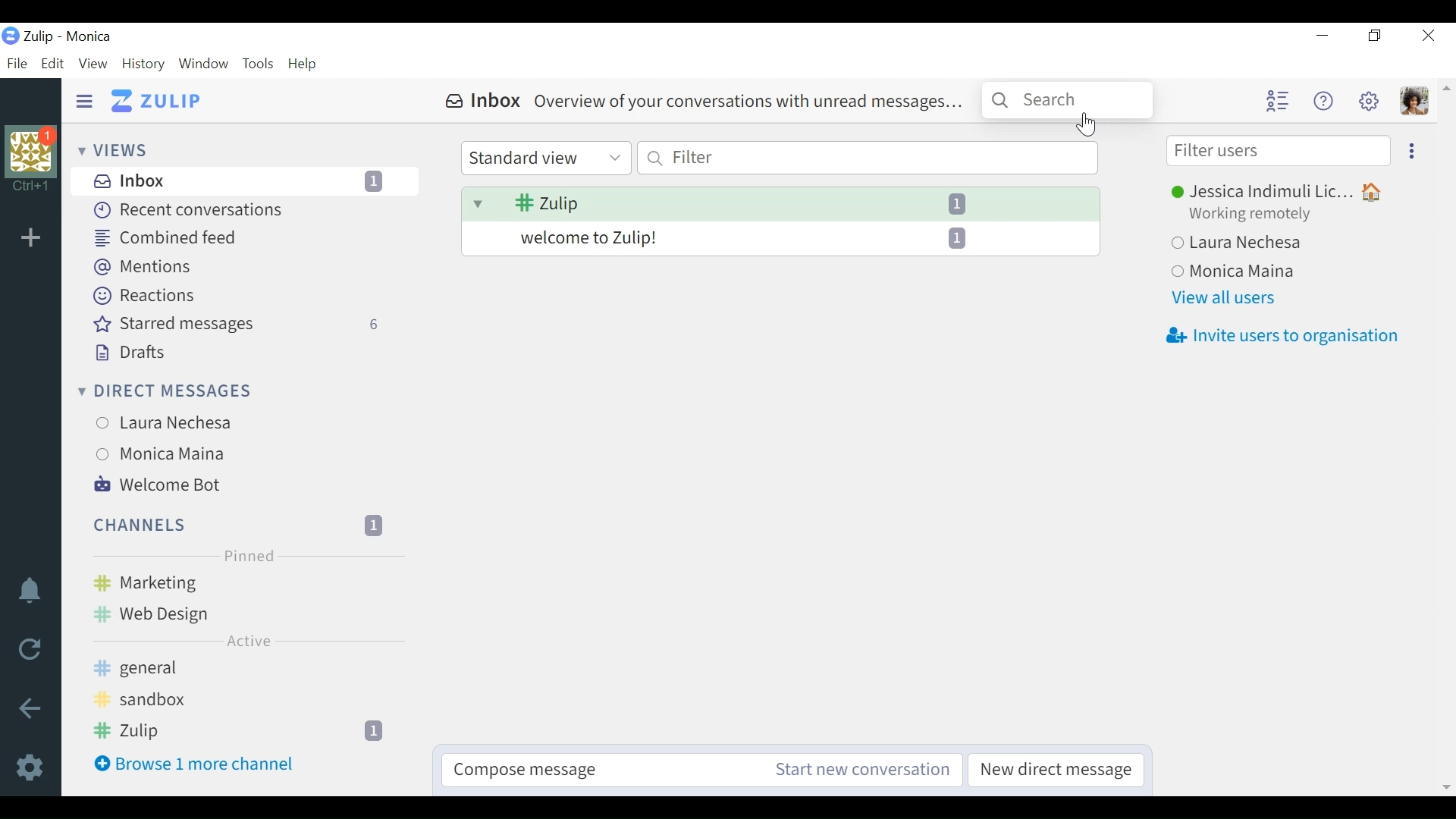 This screenshot has height=819, width=1456. I want to click on Monica Maina, so click(1246, 269).